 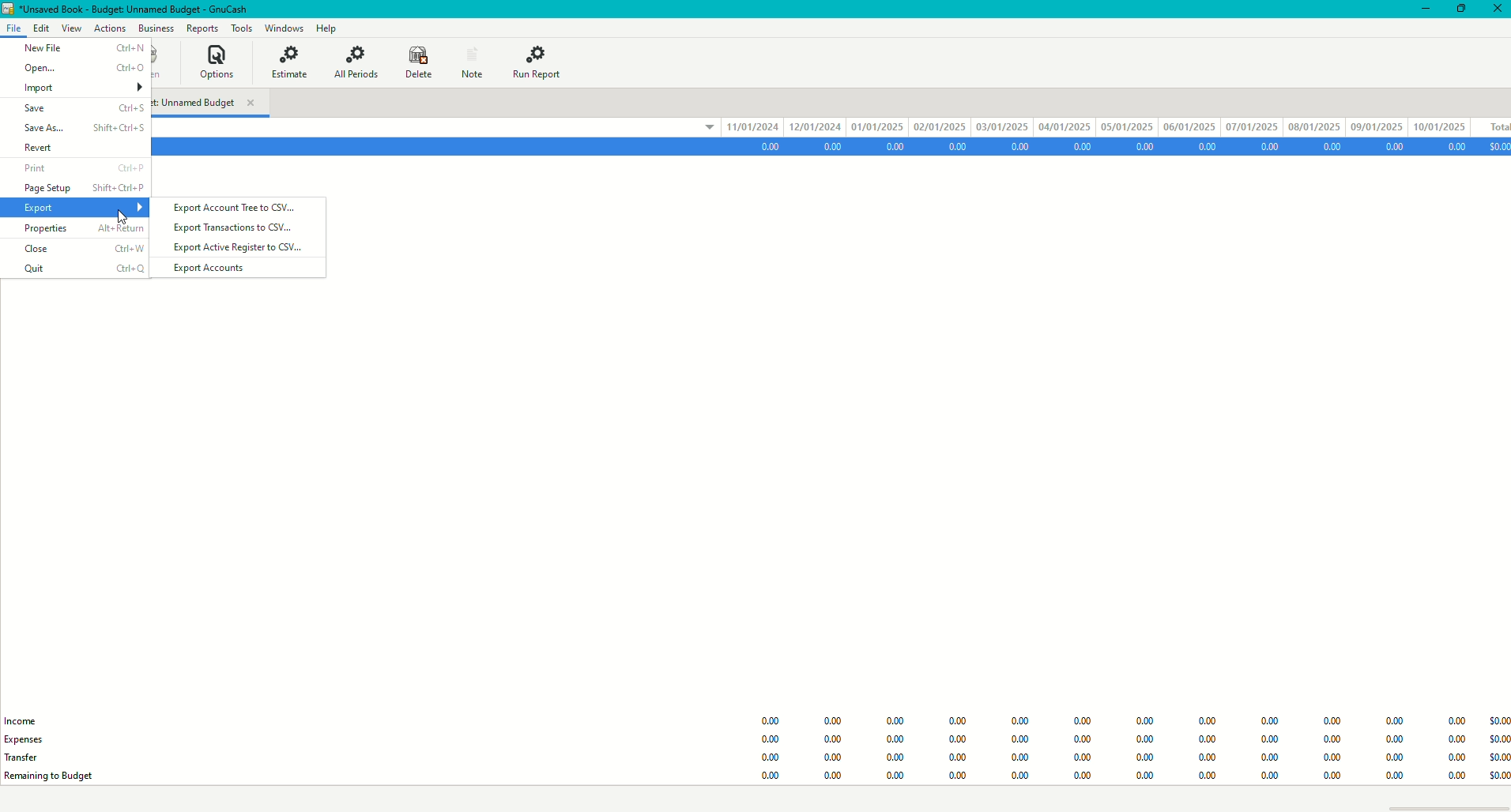 What do you see at coordinates (1425, 8) in the screenshot?
I see `Minimize` at bounding box center [1425, 8].